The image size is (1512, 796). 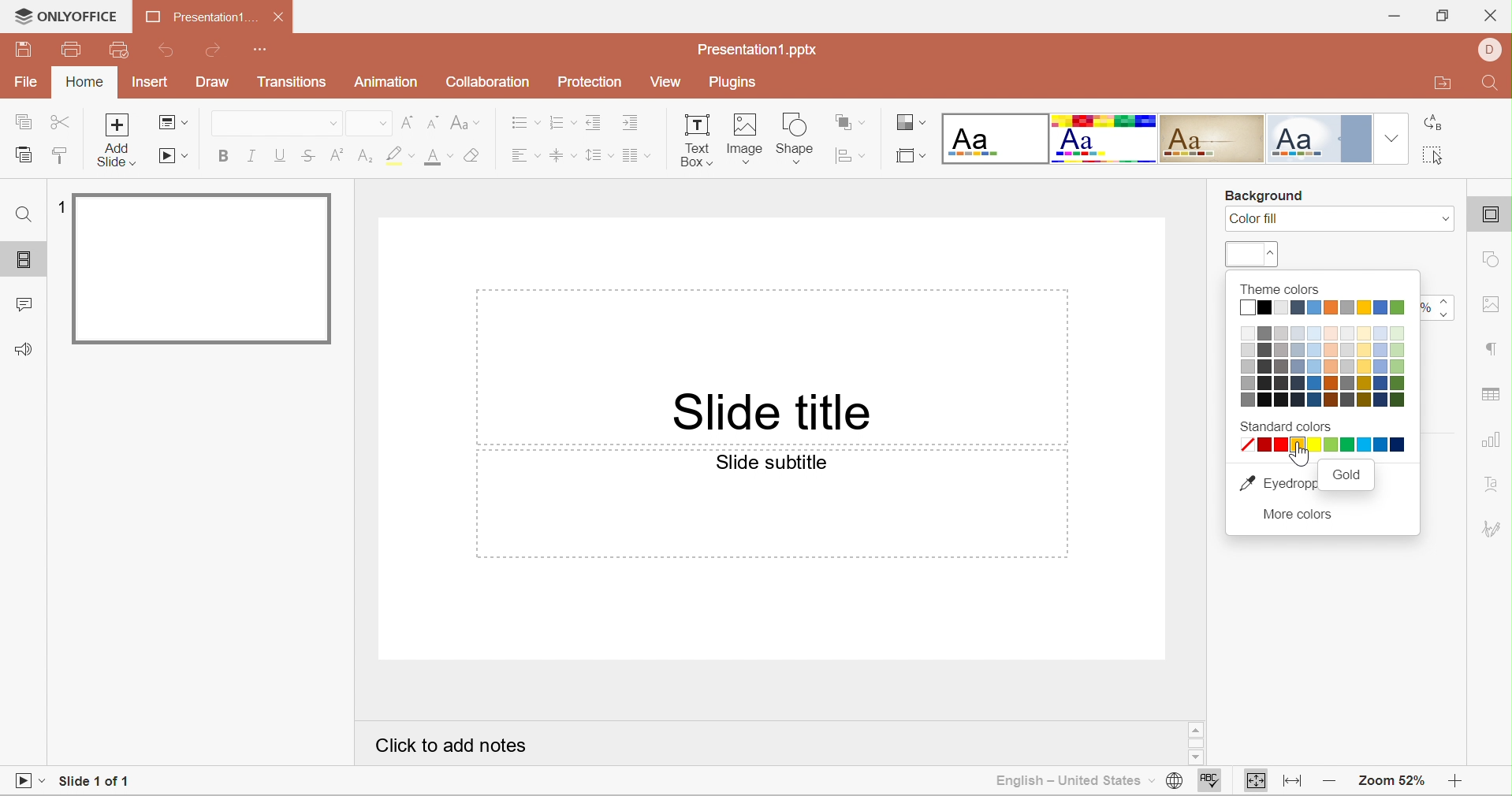 What do you see at coordinates (253, 154) in the screenshot?
I see `Italic` at bounding box center [253, 154].